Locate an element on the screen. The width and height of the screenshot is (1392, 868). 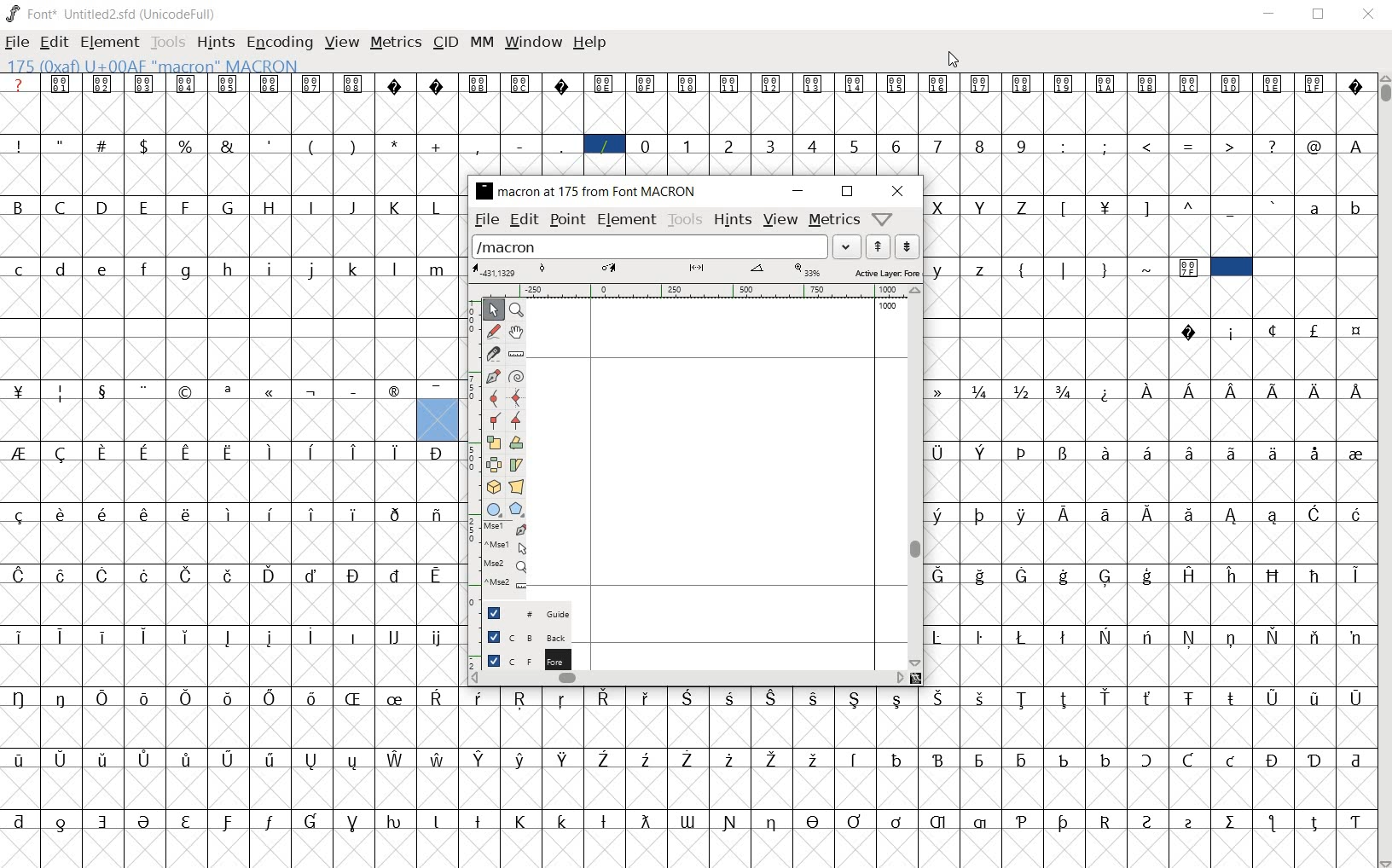
Symbol is located at coordinates (397, 575).